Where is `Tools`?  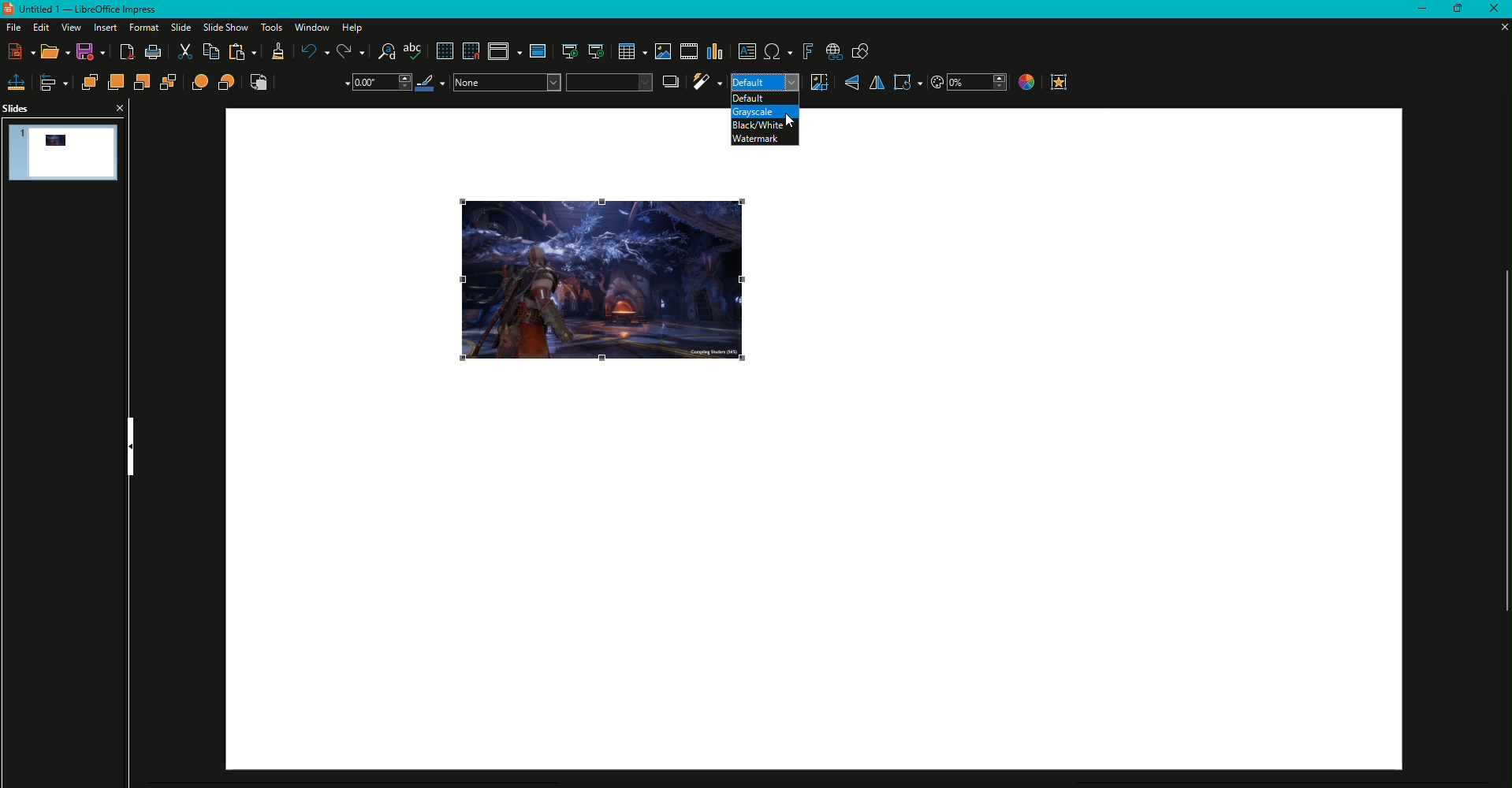
Tools is located at coordinates (269, 28).